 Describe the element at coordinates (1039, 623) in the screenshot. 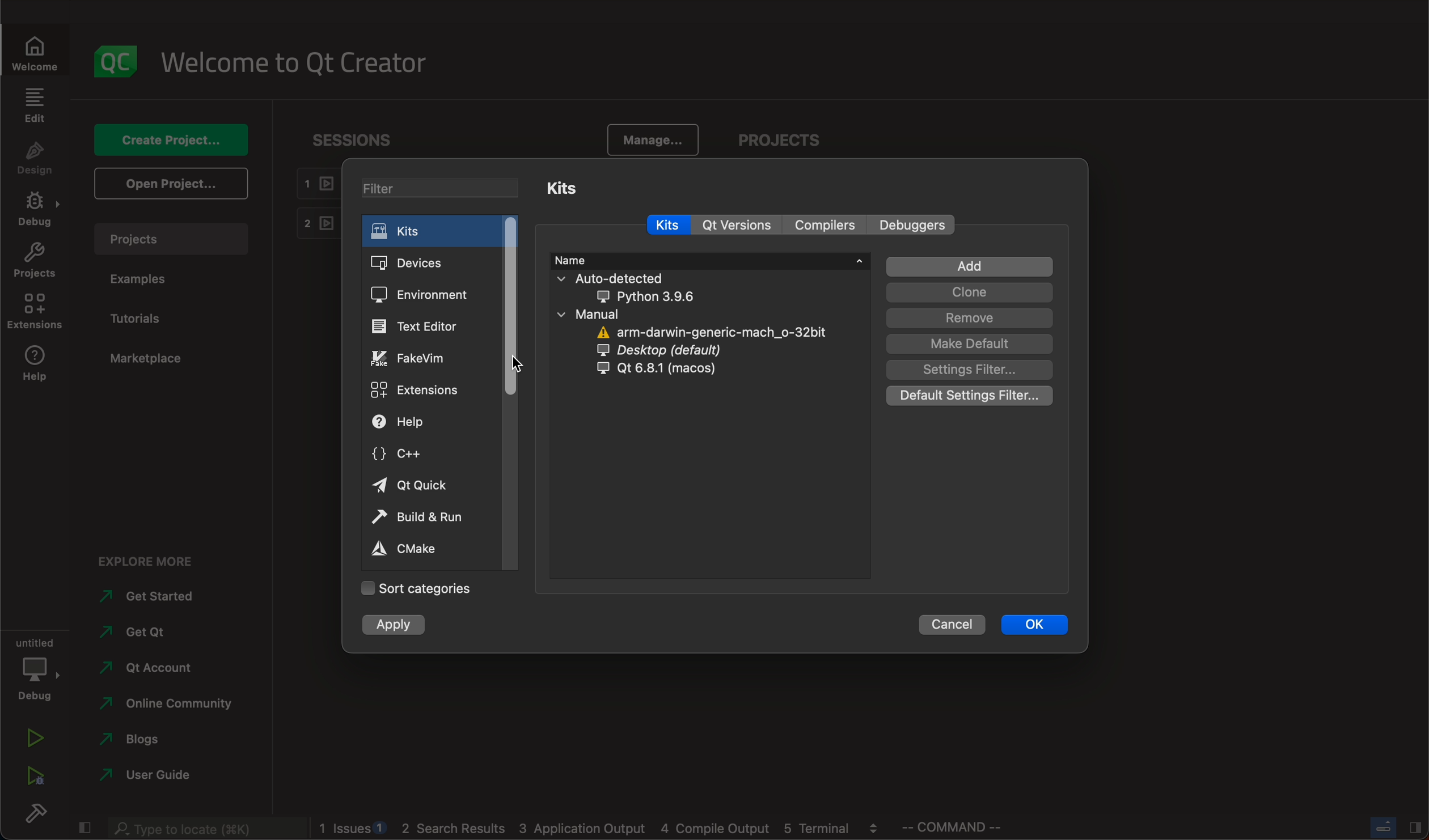

I see `ok` at that location.